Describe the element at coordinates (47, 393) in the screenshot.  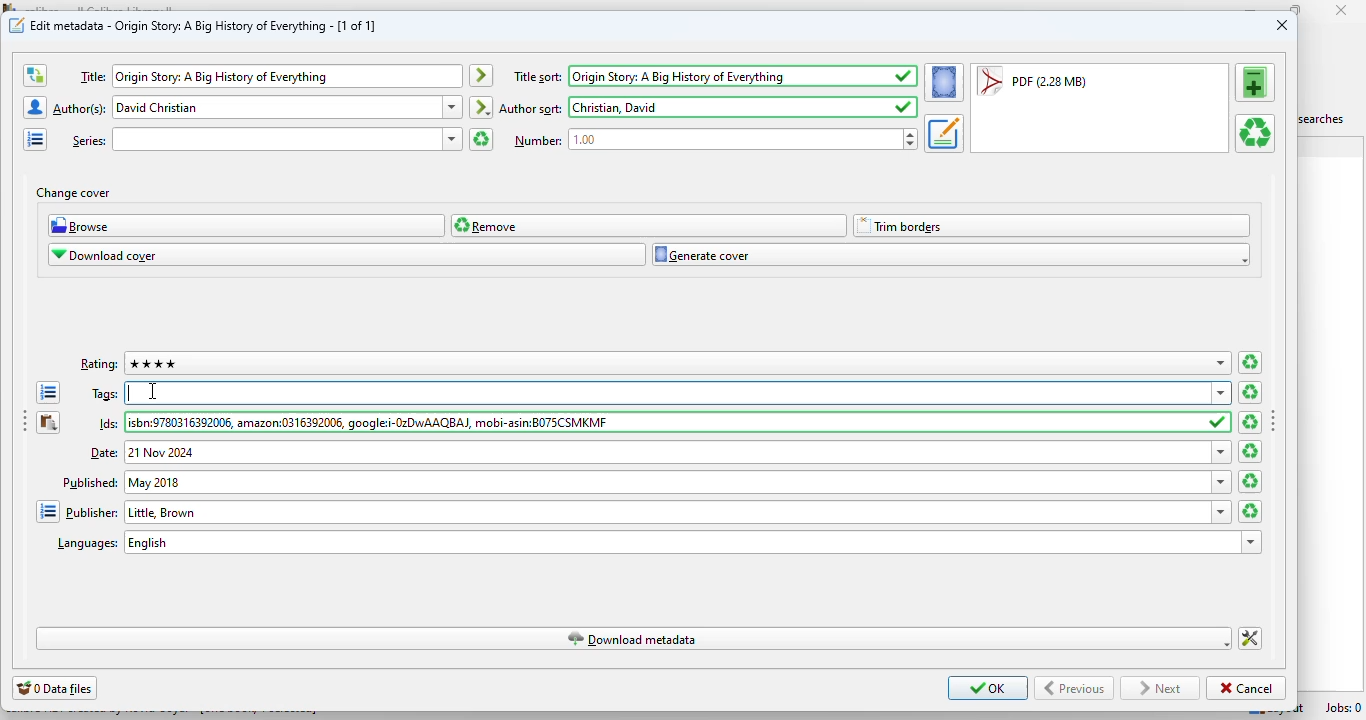
I see `open the tag editor` at that location.